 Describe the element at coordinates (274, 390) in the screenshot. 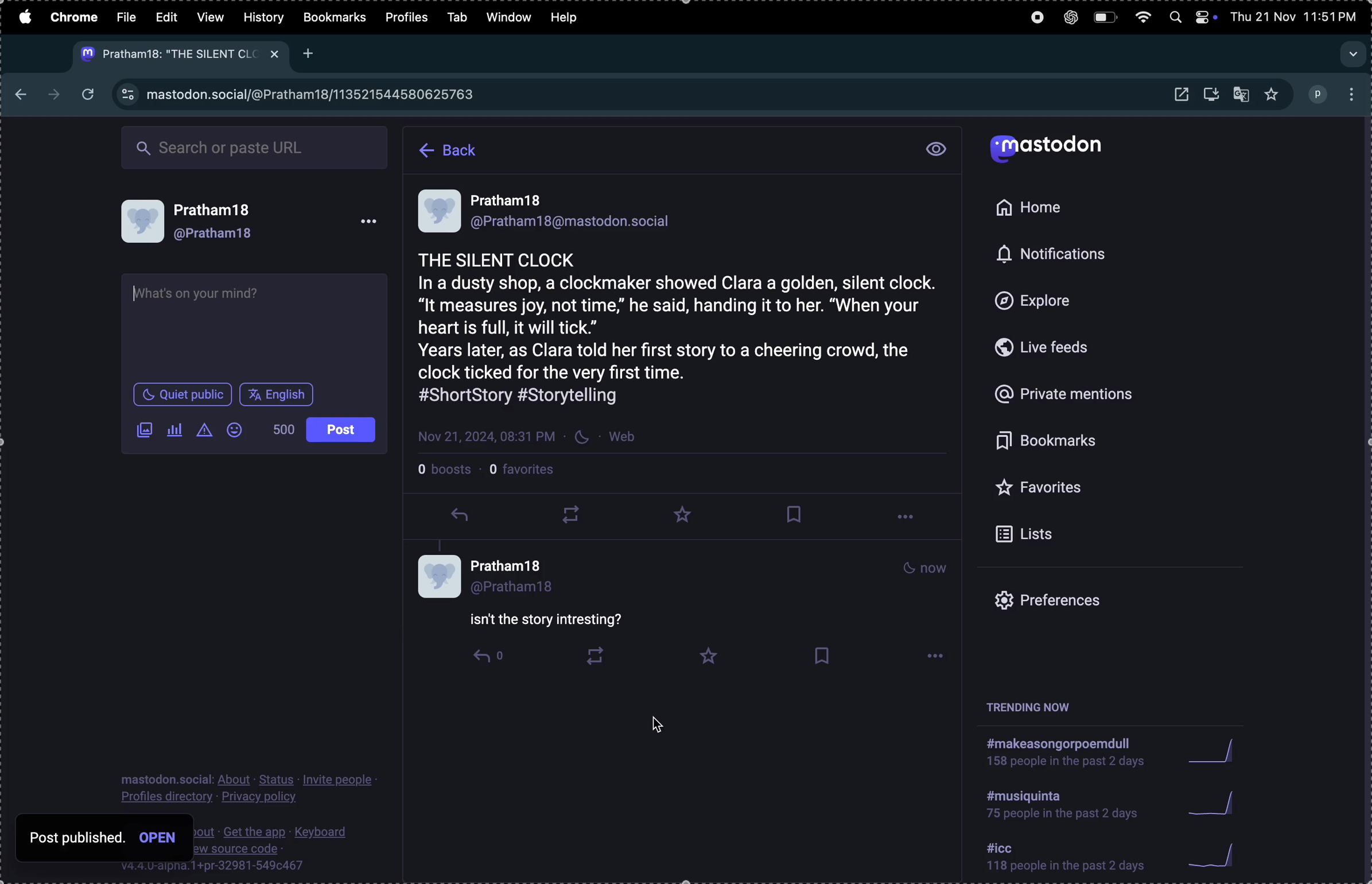

I see `post` at that location.